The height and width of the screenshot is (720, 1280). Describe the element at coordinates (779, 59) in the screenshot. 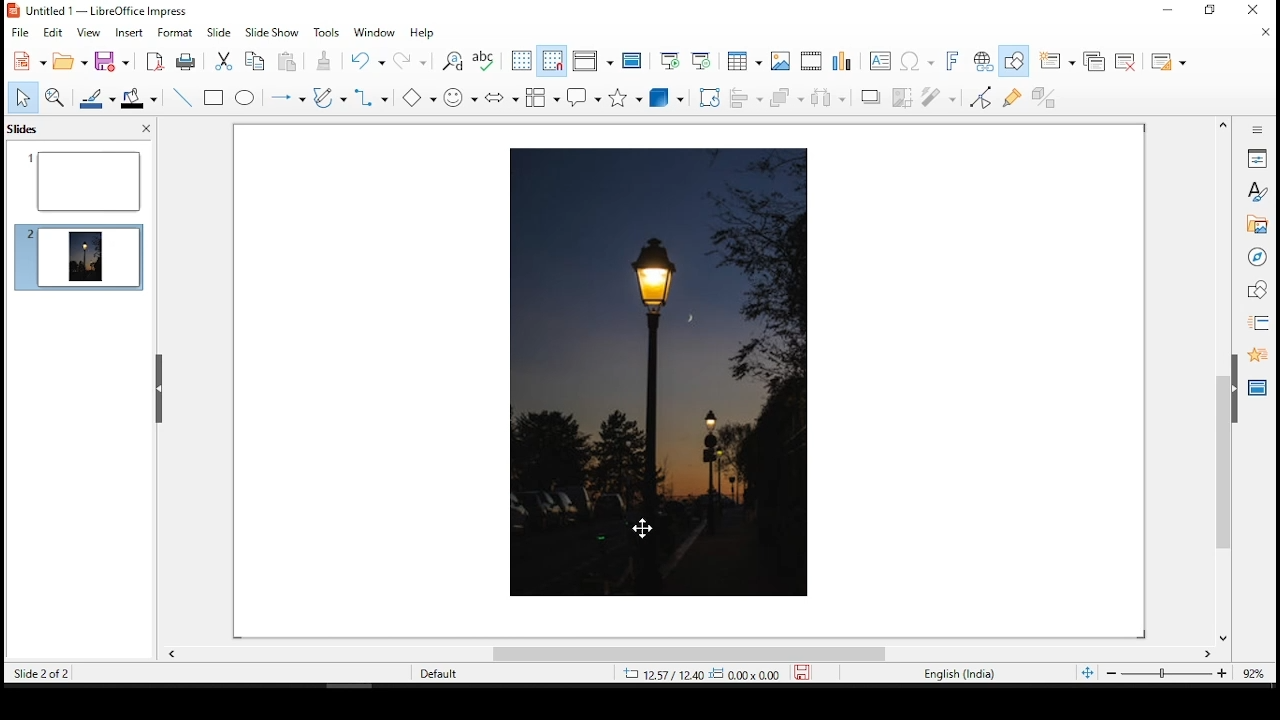

I see `images` at that location.